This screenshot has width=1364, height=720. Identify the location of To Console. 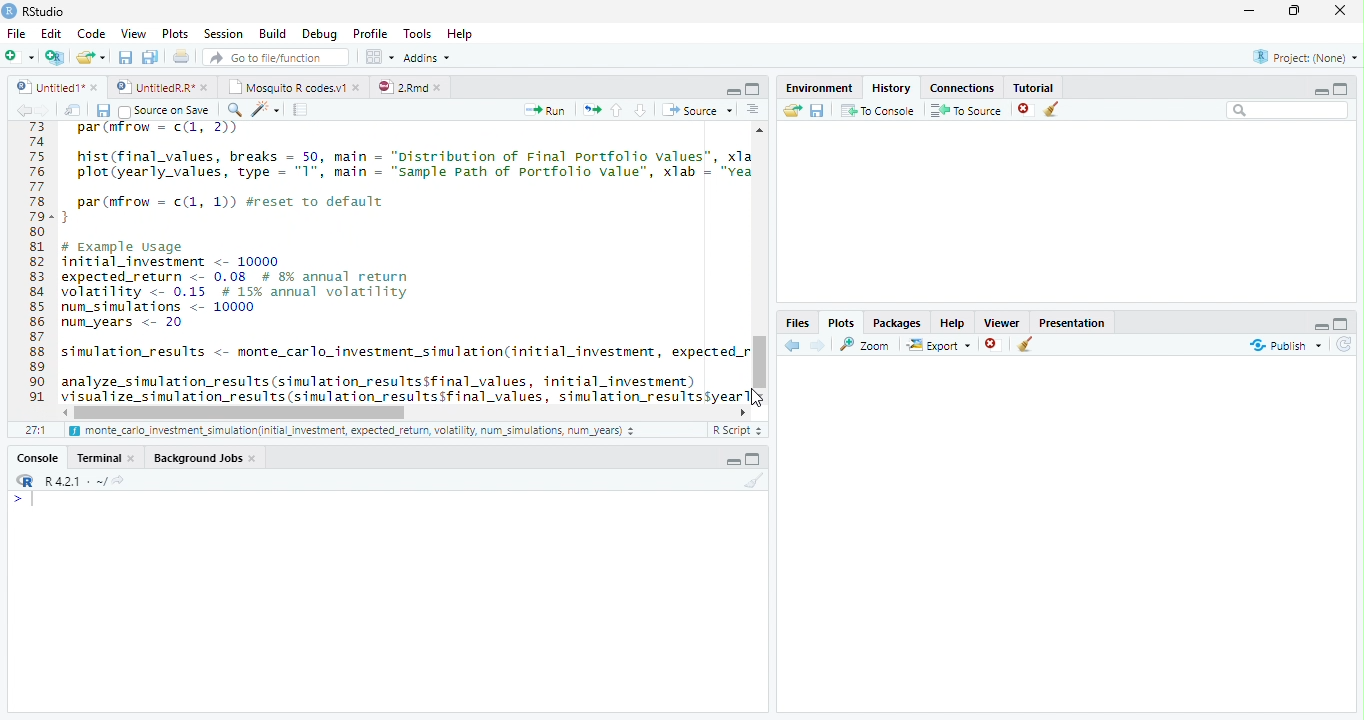
(877, 110).